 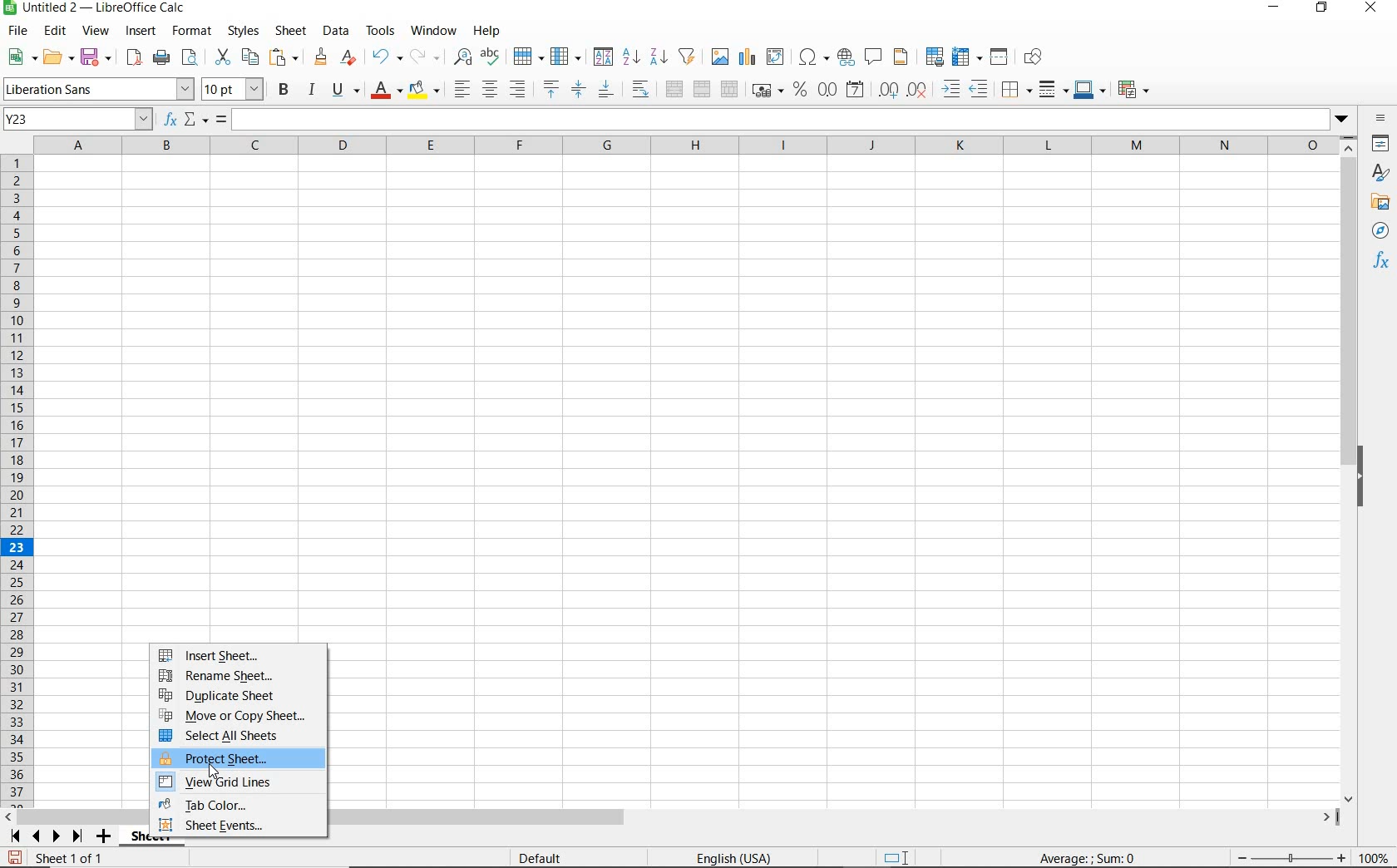 What do you see at coordinates (57, 858) in the screenshot?
I see `Sheet 1 of 1` at bounding box center [57, 858].